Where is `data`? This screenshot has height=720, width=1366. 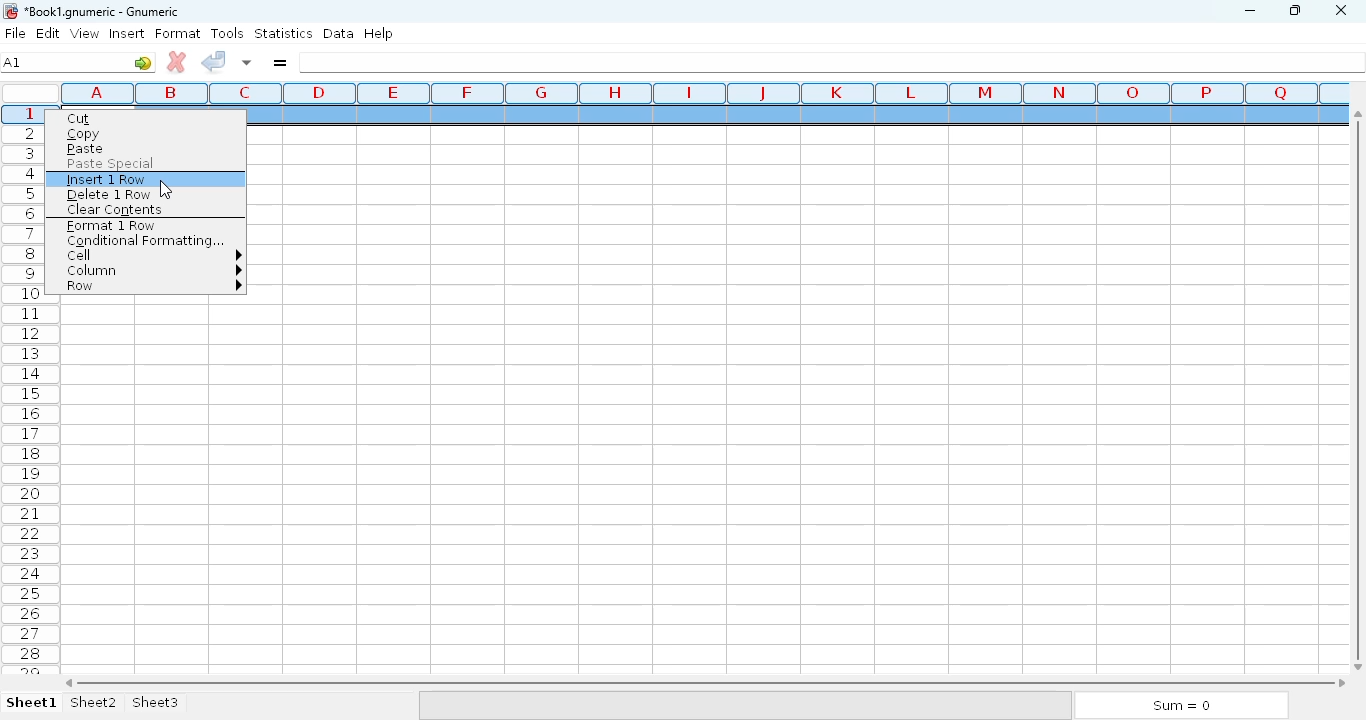 data is located at coordinates (339, 33).